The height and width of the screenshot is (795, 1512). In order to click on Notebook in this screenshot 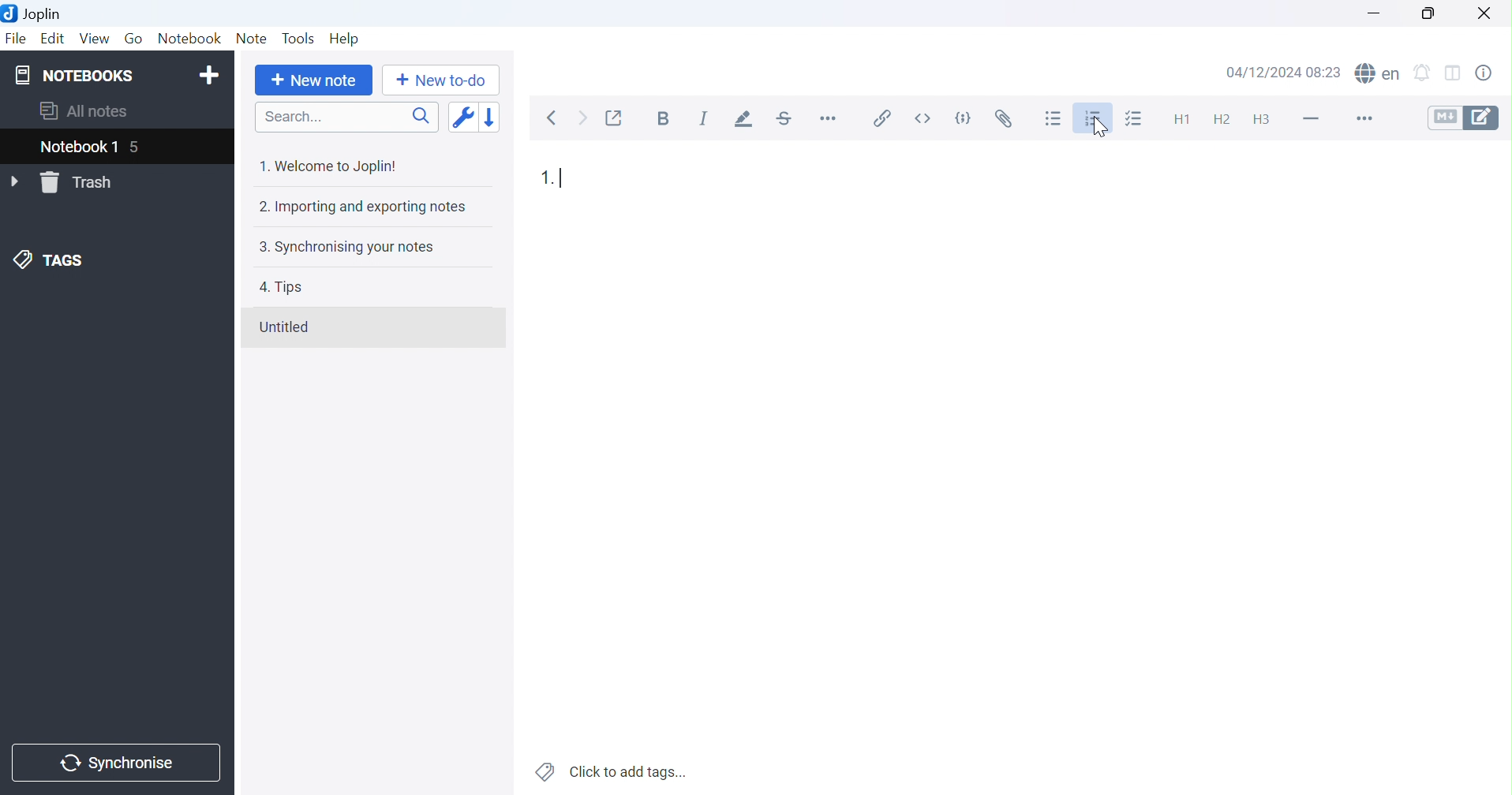, I will do `click(189, 37)`.